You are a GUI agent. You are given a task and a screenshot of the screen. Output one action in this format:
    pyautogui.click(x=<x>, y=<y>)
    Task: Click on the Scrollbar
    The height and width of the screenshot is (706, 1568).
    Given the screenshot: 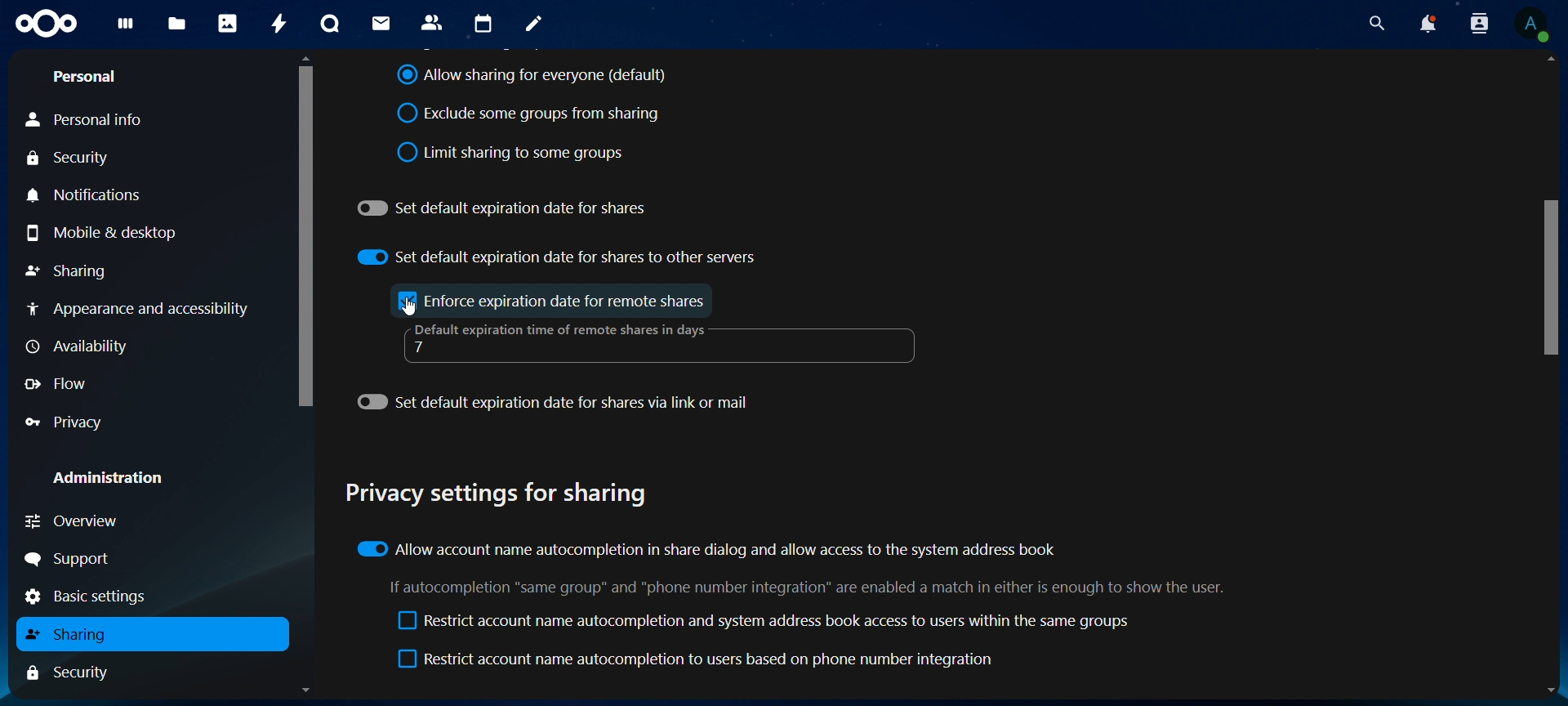 What is the action you would take?
    pyautogui.click(x=1551, y=377)
    